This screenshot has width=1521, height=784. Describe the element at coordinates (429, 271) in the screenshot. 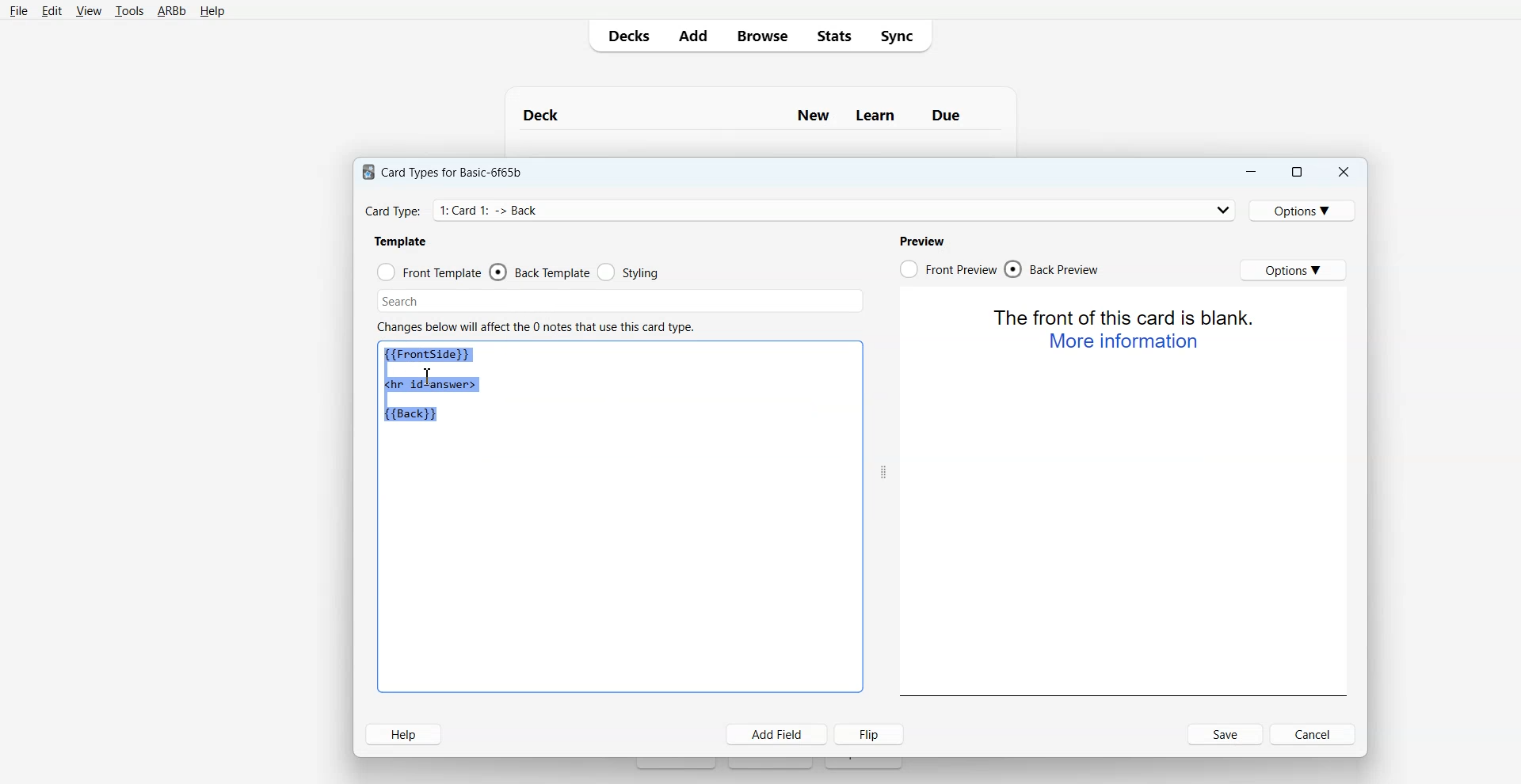

I see `Front Template` at that location.